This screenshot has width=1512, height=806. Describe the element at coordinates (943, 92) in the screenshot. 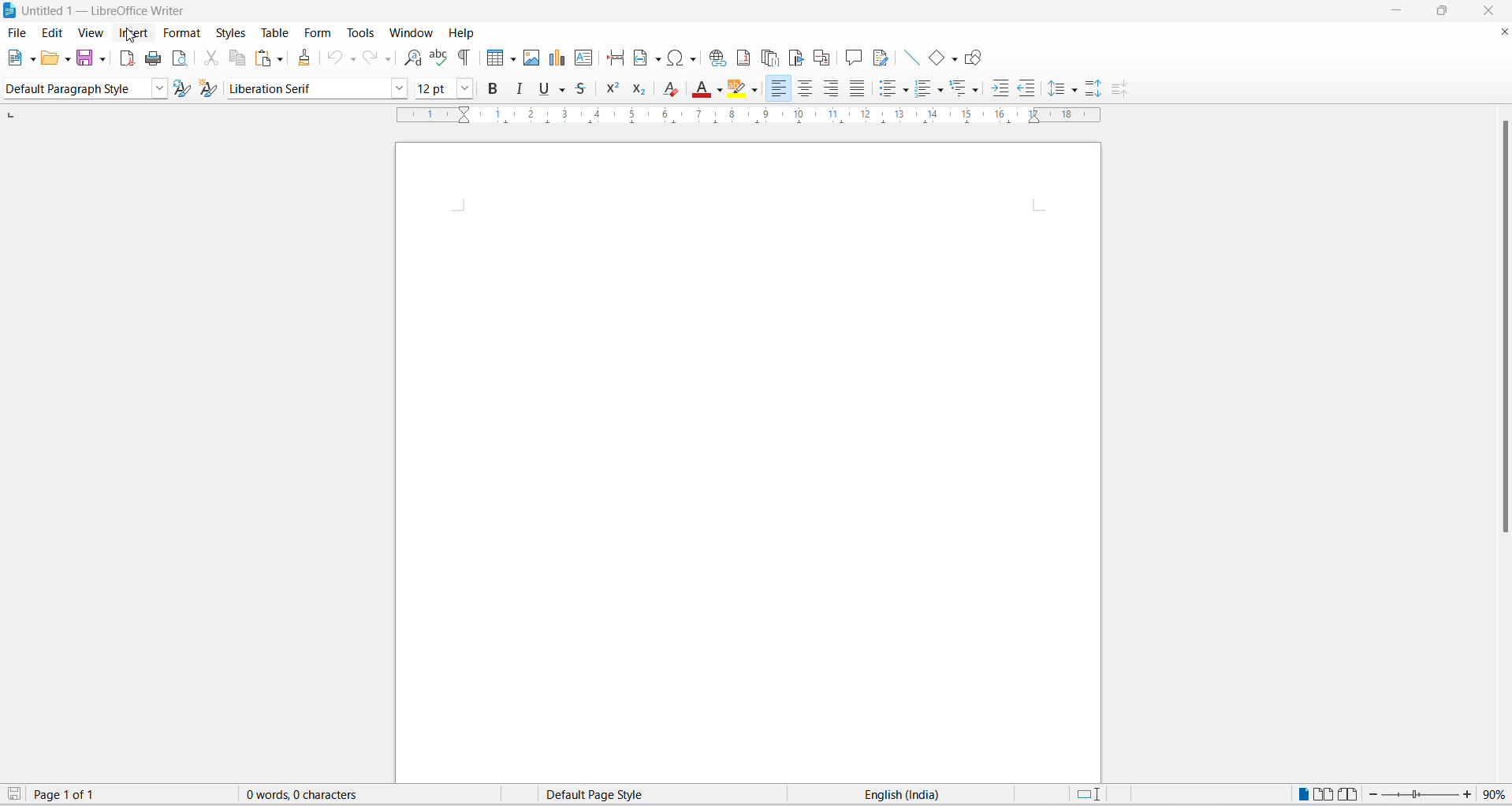

I see `toggle ordered list options` at that location.